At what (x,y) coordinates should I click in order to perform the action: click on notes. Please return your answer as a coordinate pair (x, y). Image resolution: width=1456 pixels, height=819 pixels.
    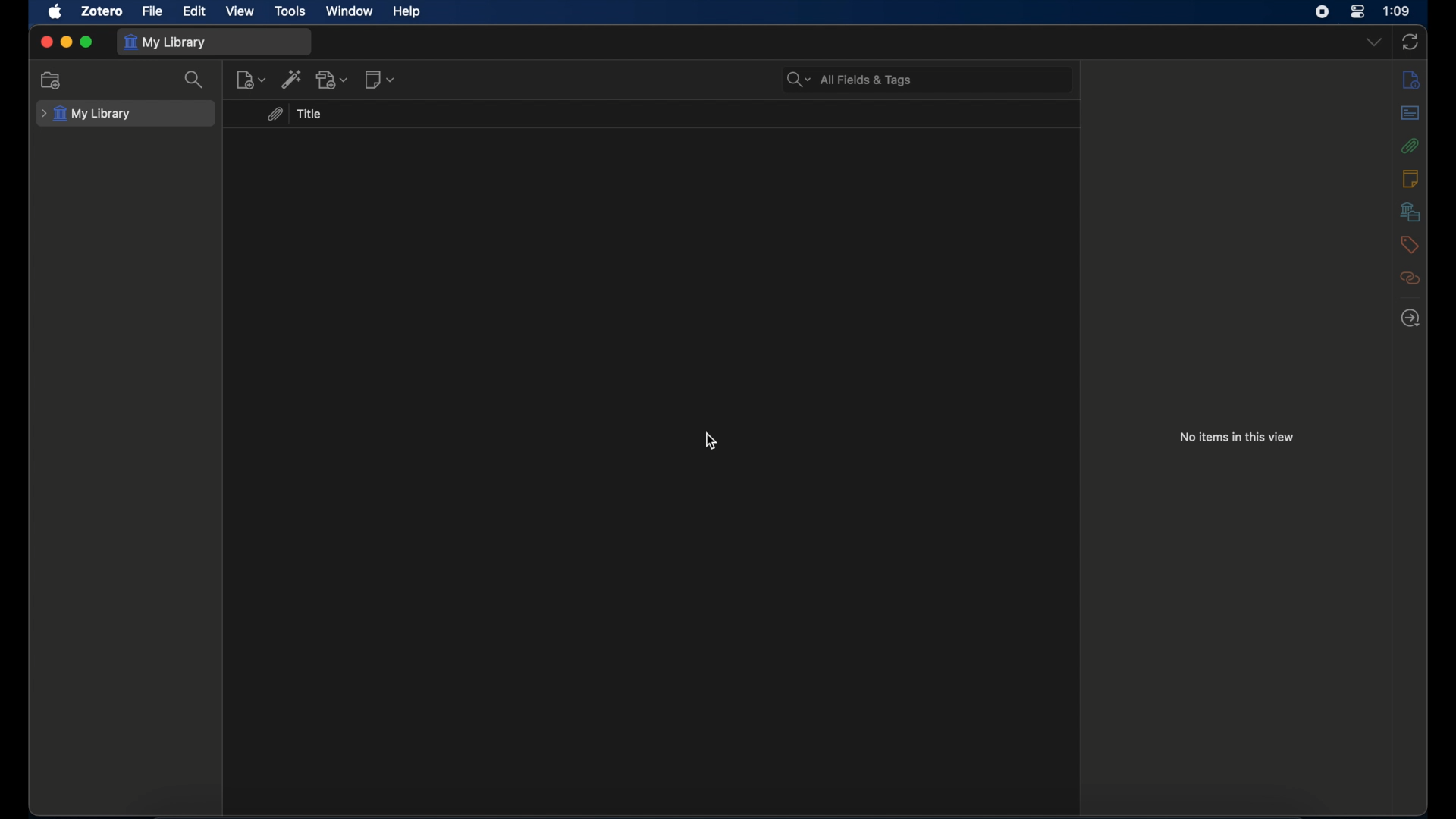
    Looking at the image, I should click on (1410, 178).